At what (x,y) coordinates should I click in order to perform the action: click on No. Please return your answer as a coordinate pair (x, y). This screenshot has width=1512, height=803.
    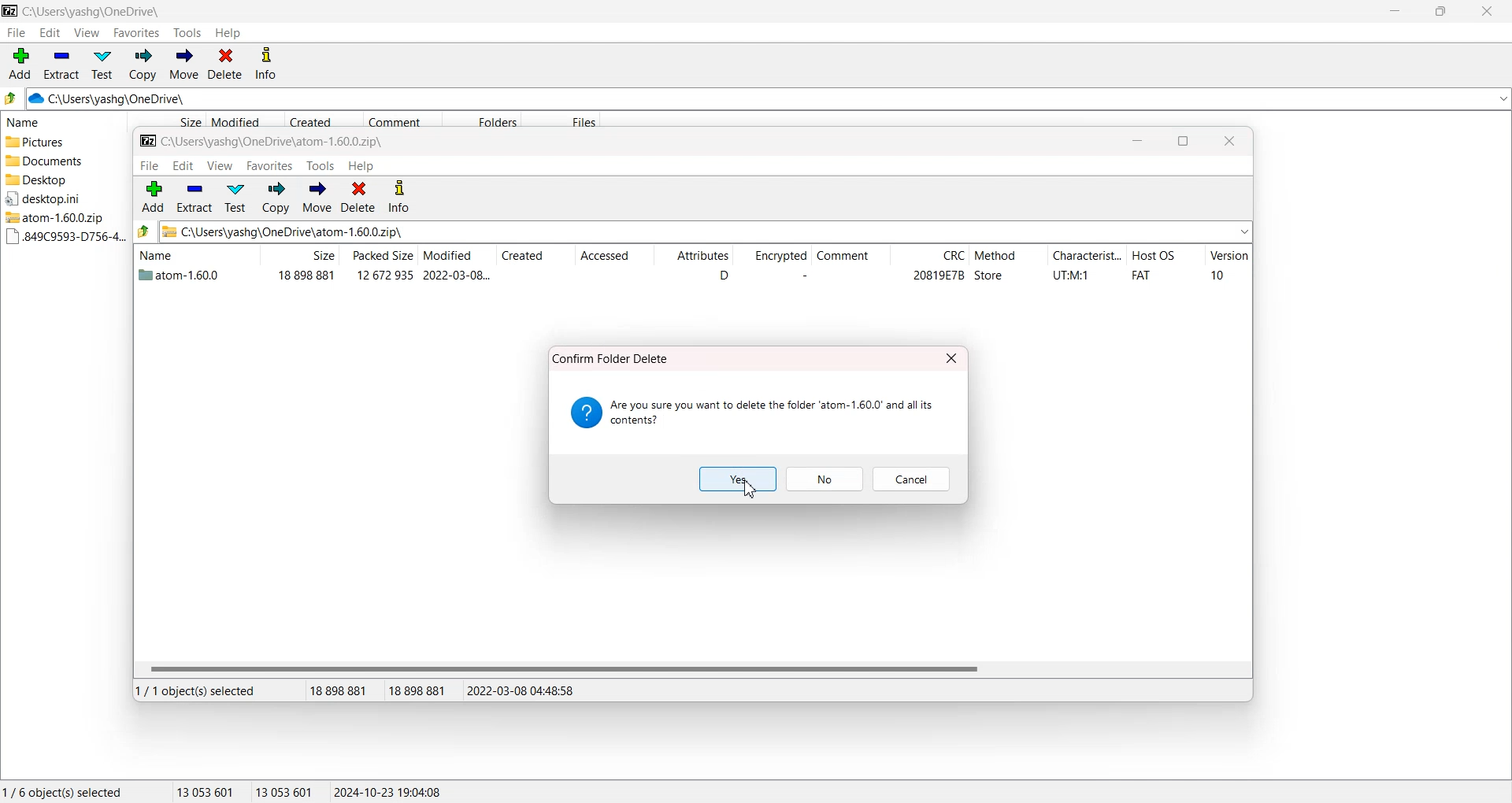
    Looking at the image, I should click on (826, 479).